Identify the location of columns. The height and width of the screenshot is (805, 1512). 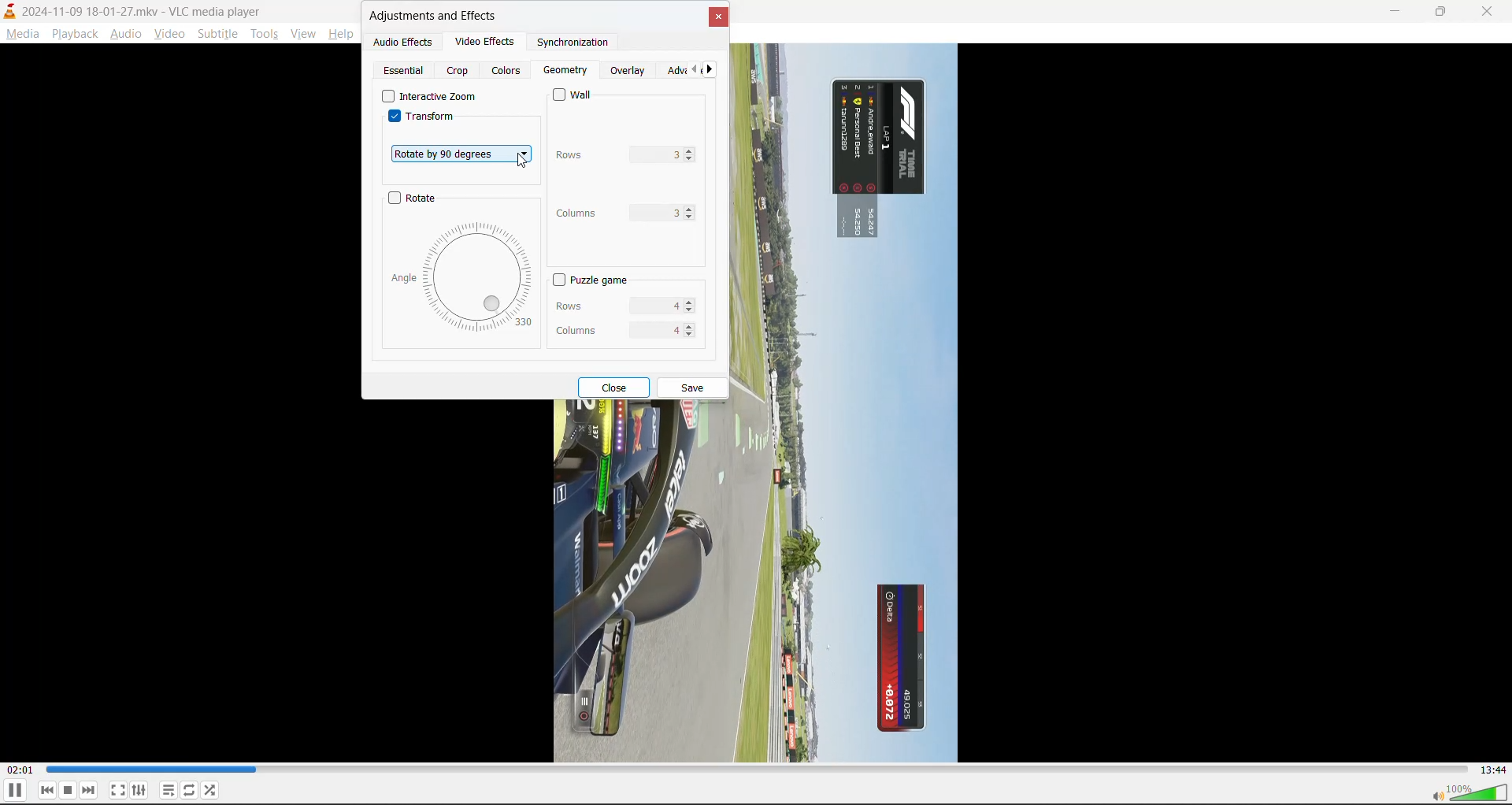
(611, 327).